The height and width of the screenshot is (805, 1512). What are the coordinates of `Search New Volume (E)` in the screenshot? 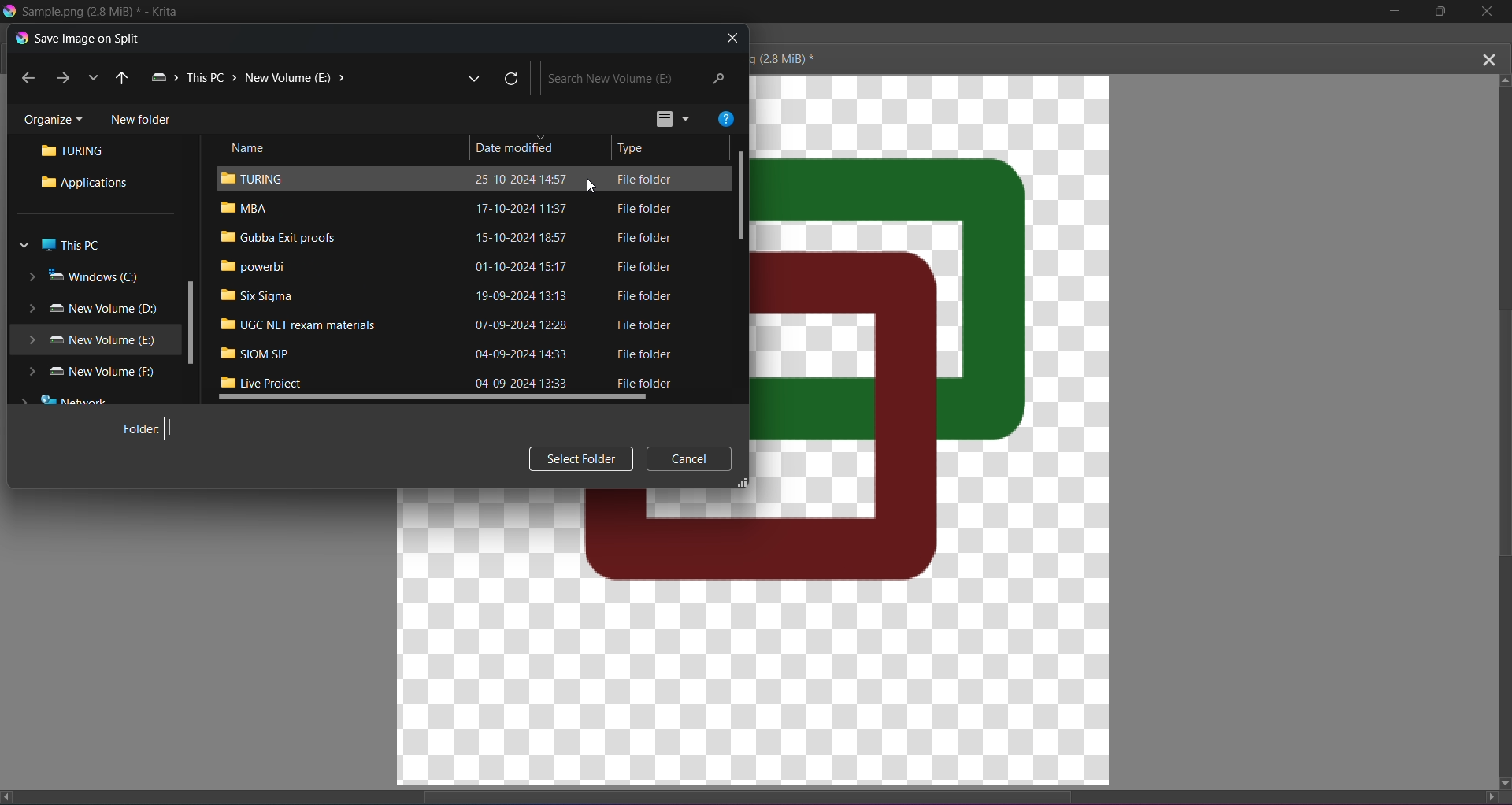 It's located at (642, 76).